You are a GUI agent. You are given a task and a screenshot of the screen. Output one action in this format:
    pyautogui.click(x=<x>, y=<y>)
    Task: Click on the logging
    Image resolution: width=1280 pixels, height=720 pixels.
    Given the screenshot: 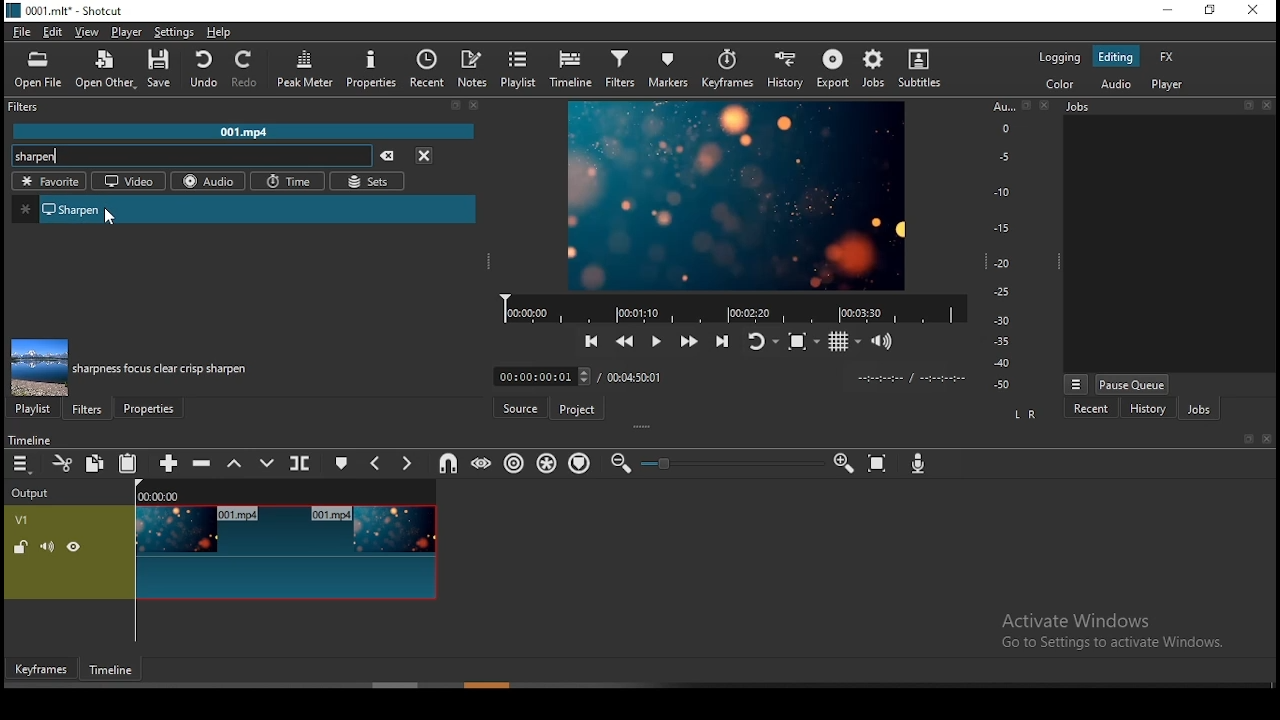 What is the action you would take?
    pyautogui.click(x=1056, y=58)
    